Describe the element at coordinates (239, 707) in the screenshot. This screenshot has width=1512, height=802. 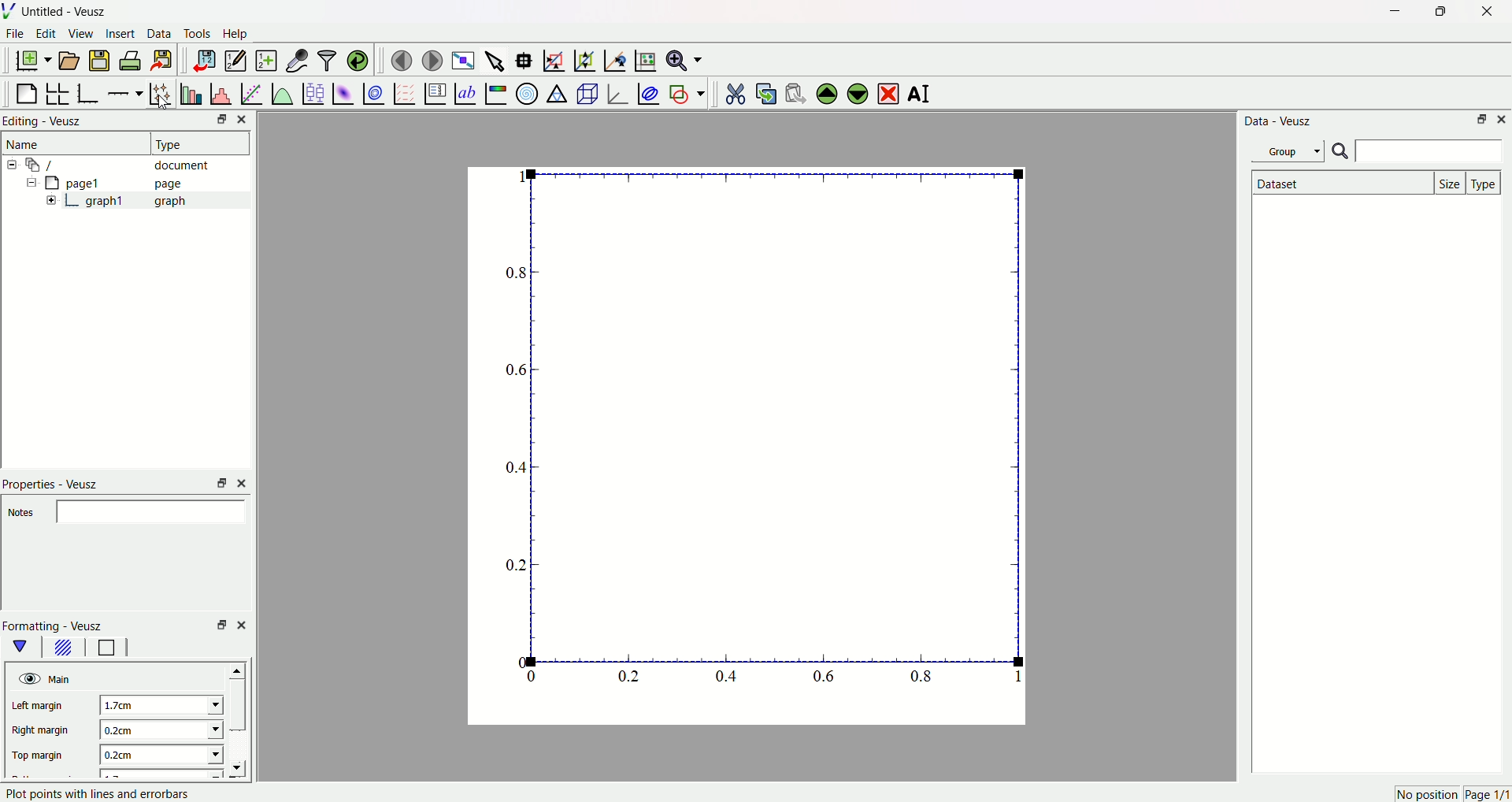
I see `scroll bar` at that location.